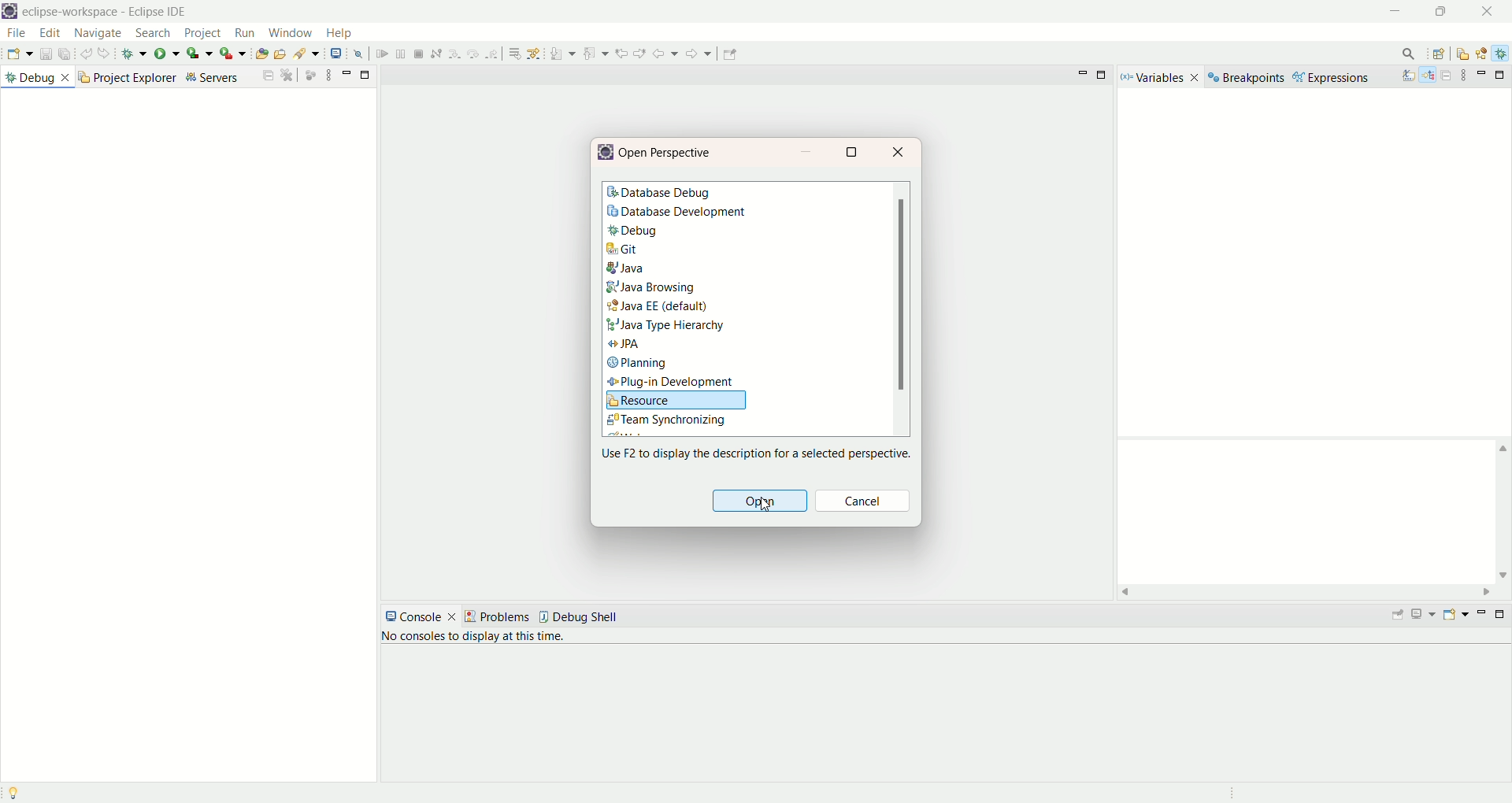  Describe the element at coordinates (1401, 13) in the screenshot. I see `minimize` at that location.